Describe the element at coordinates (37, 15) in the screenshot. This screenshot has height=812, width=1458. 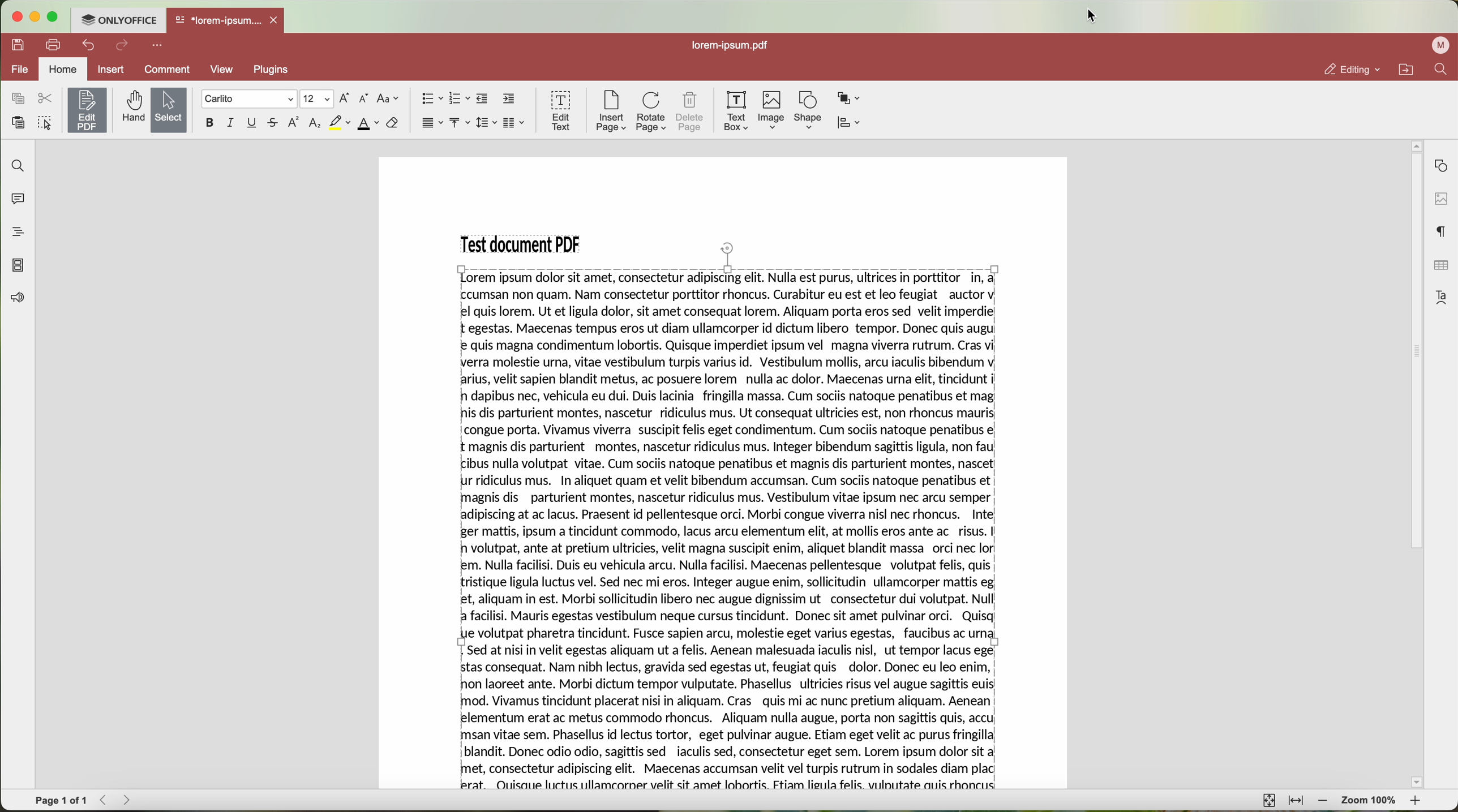
I see `minimize` at that location.